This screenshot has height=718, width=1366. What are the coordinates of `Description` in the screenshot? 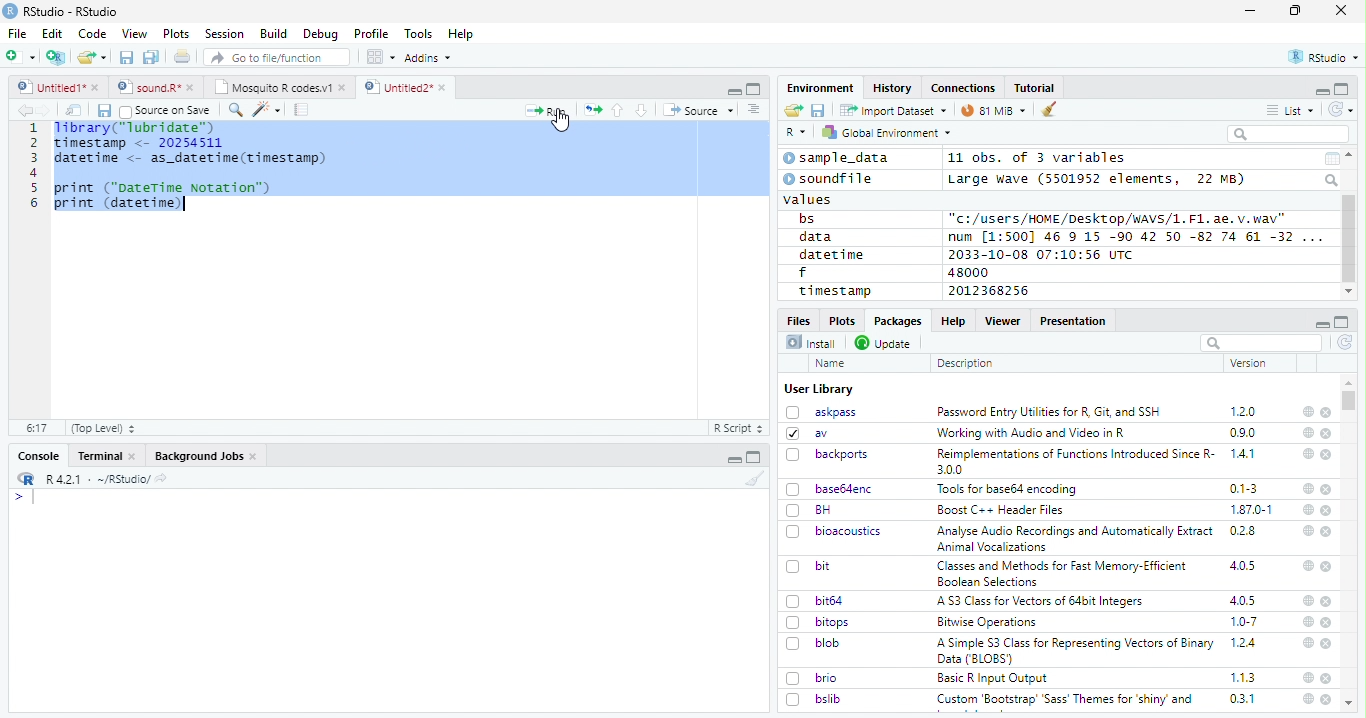 It's located at (966, 363).